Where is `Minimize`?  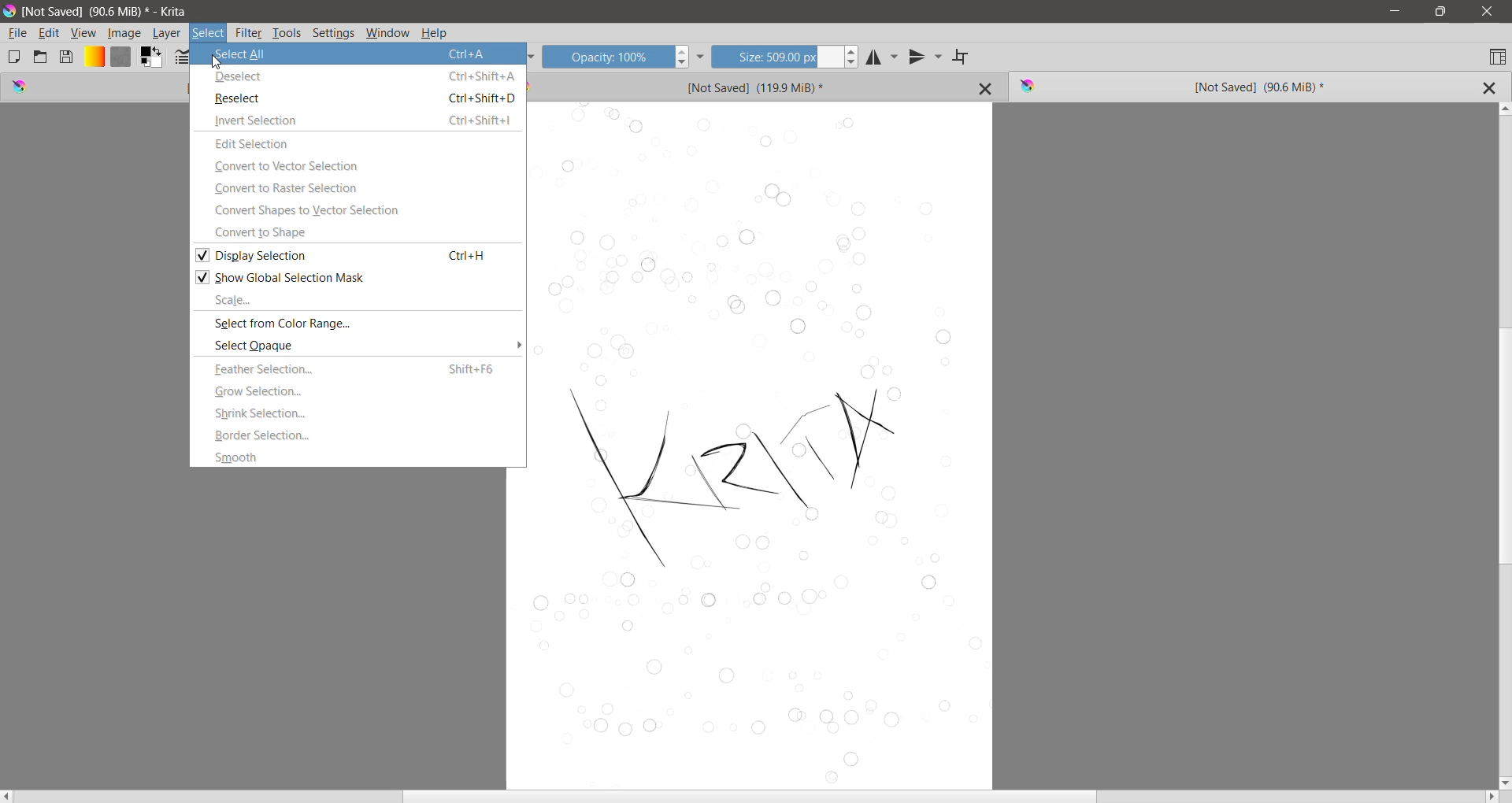 Minimize is located at coordinates (1395, 11).